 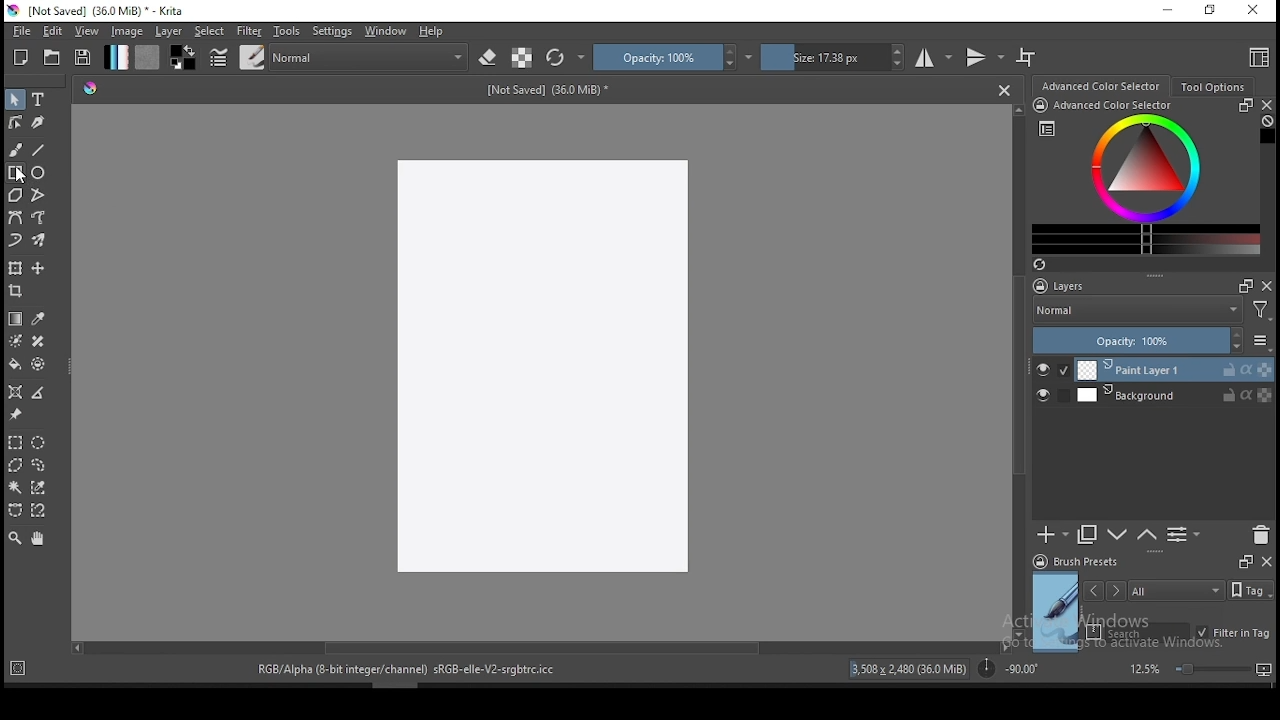 I want to click on layer, so click(x=1174, y=395).